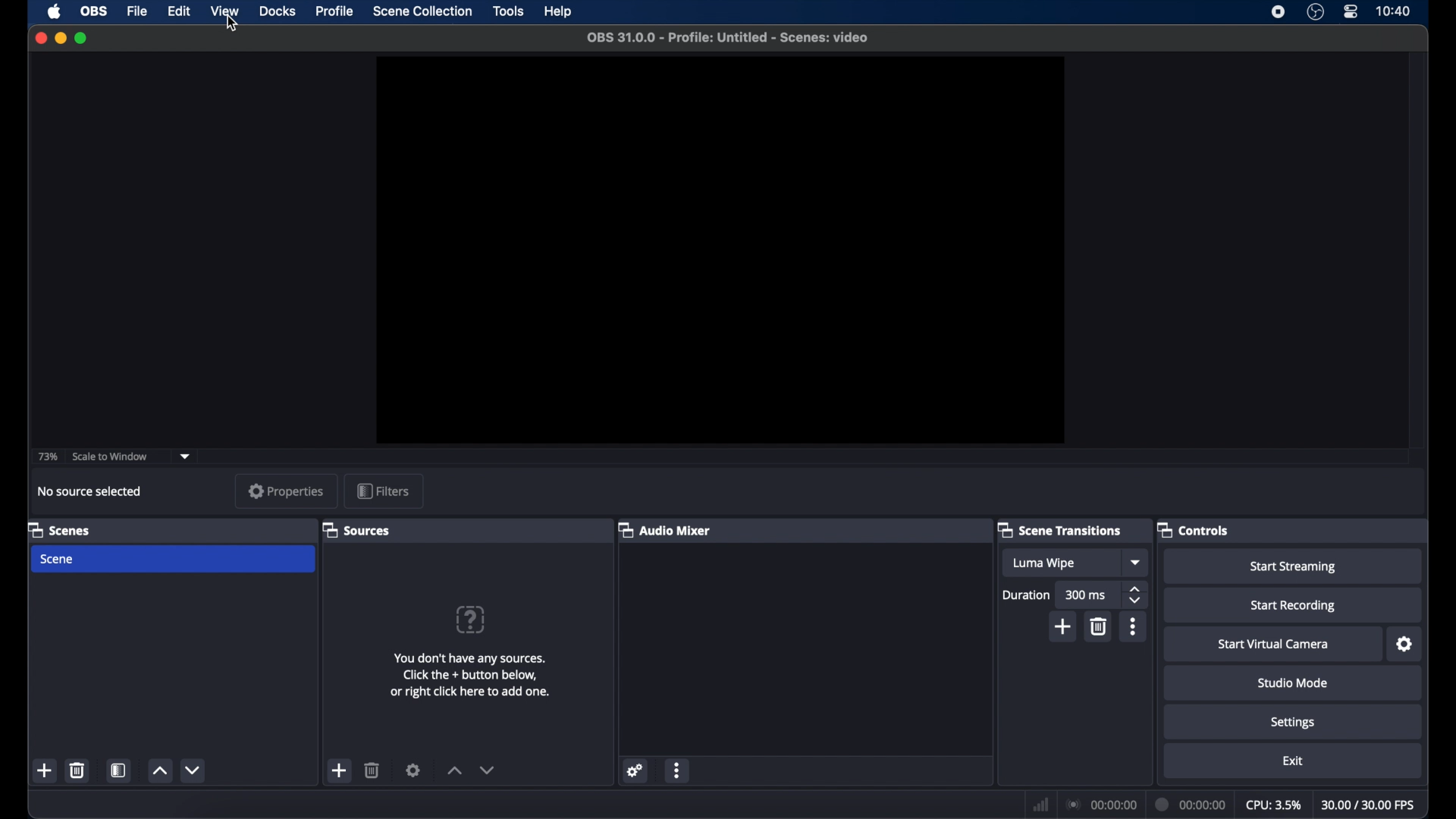 The width and height of the screenshot is (1456, 819). I want to click on 00:00:00, so click(1103, 805).